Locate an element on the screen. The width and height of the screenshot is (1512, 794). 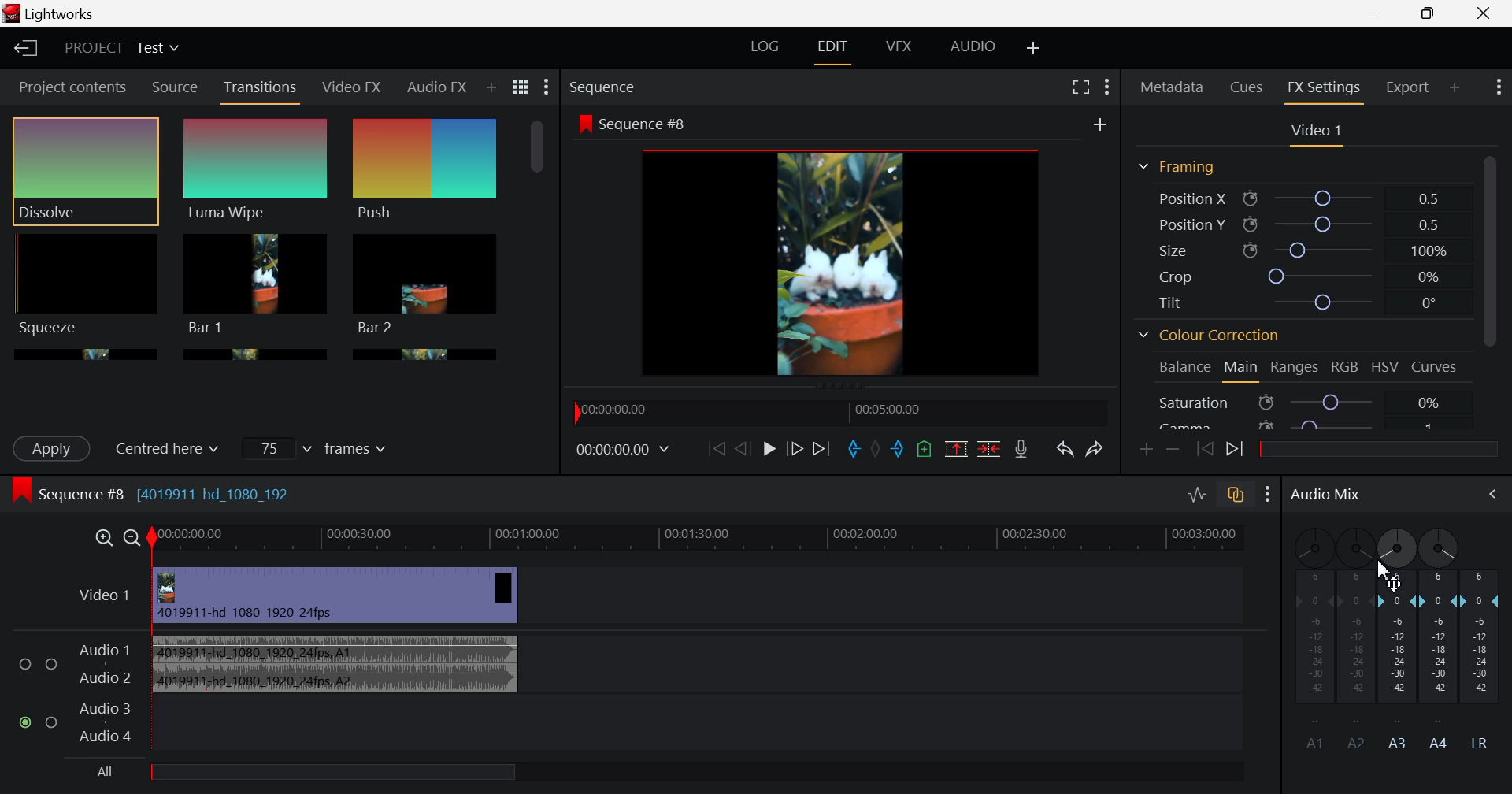
VFX Layout is located at coordinates (899, 50).